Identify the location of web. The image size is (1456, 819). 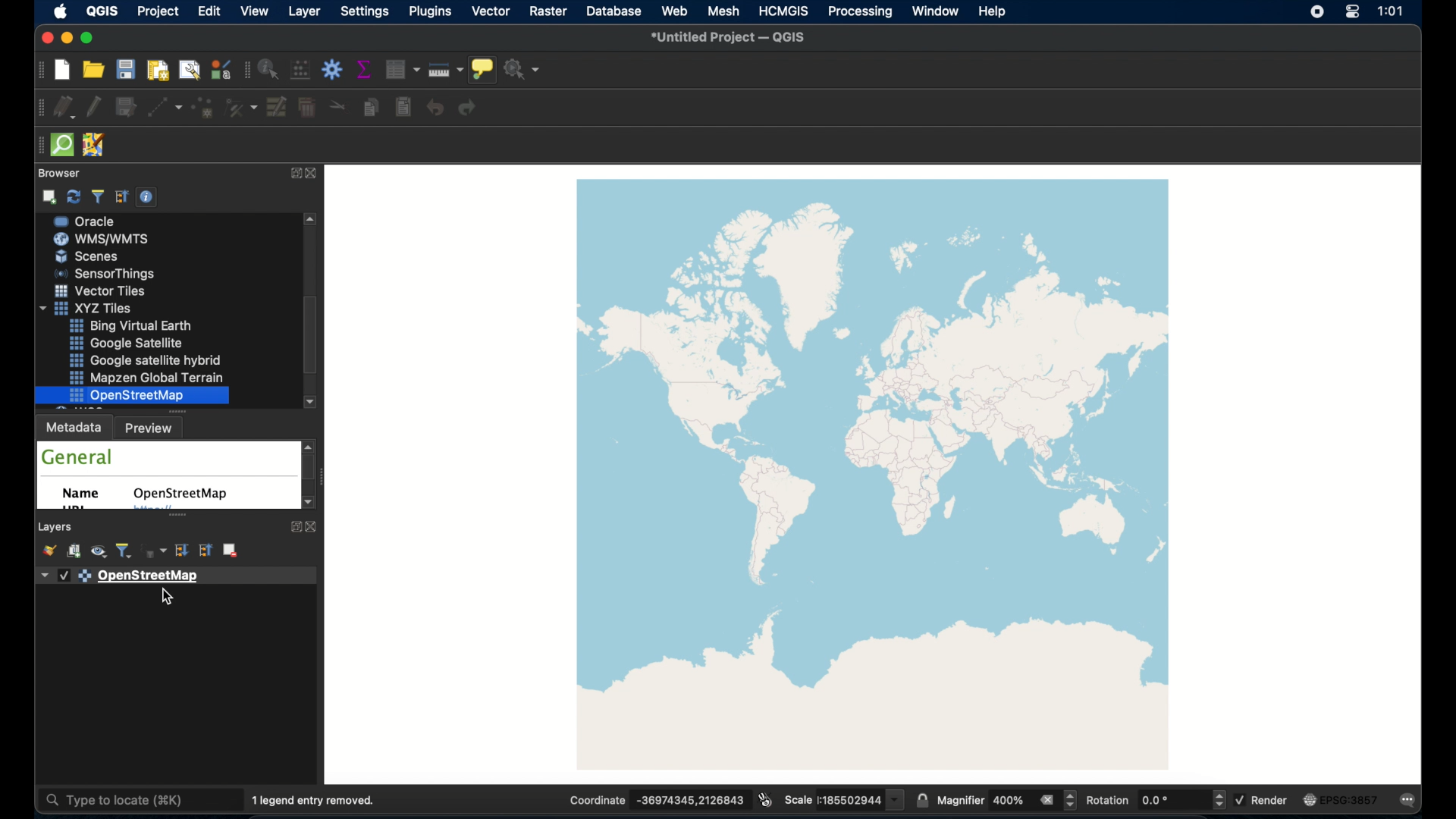
(674, 12).